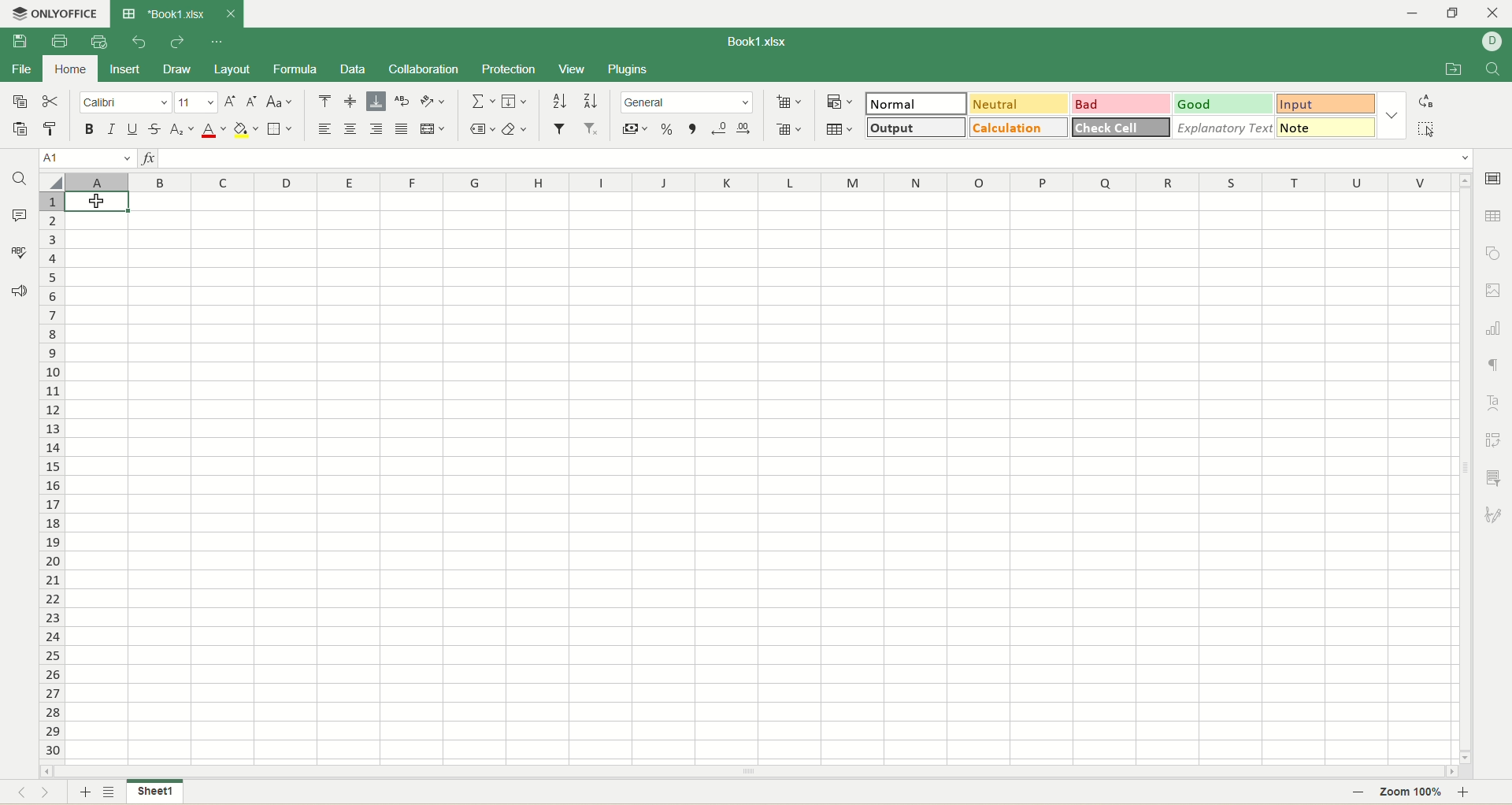 The width and height of the screenshot is (1512, 805). Describe the element at coordinates (350, 131) in the screenshot. I see `align center` at that location.